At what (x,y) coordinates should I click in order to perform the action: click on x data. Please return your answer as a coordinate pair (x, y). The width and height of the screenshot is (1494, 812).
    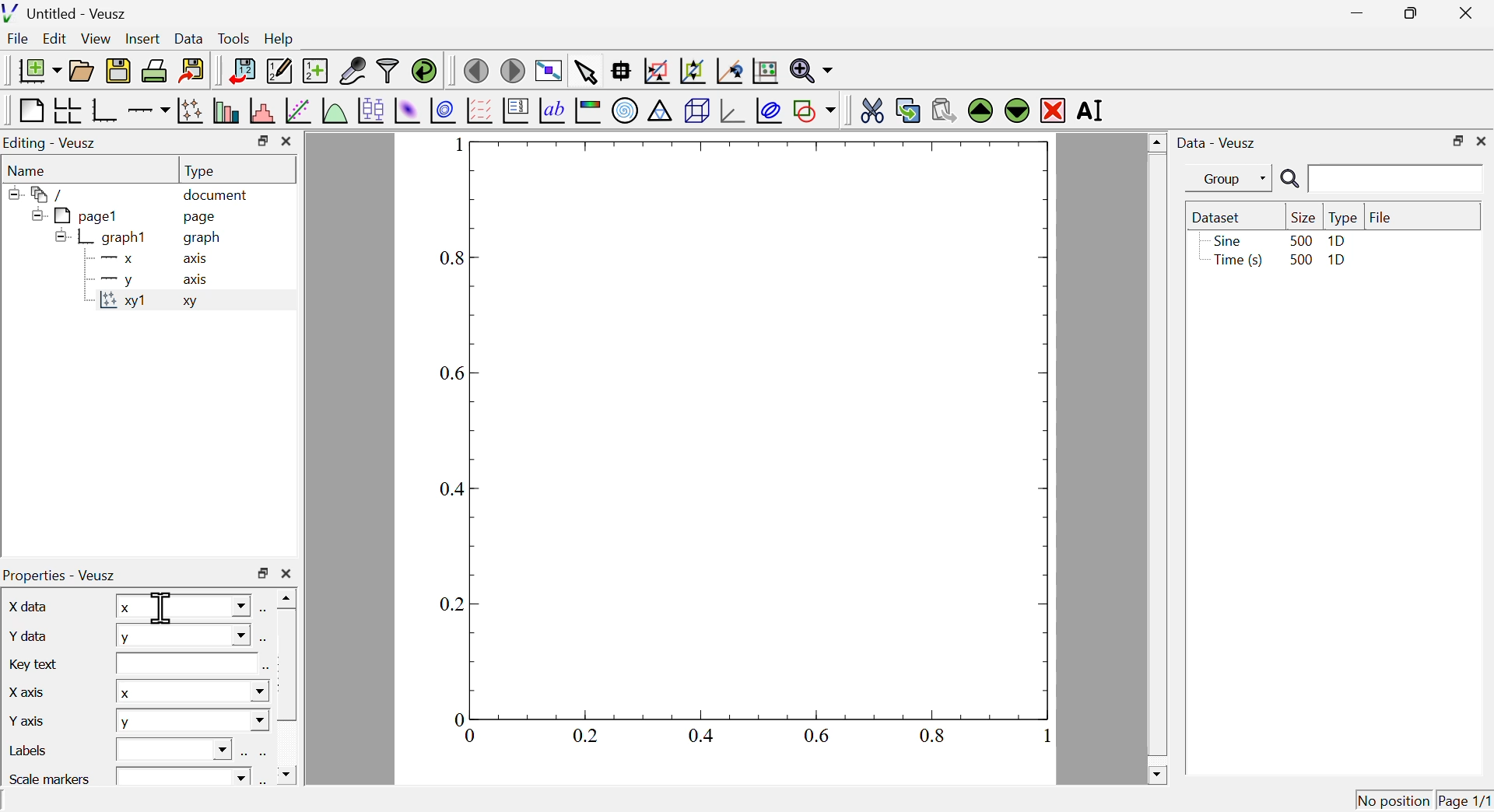
    Looking at the image, I should click on (32, 606).